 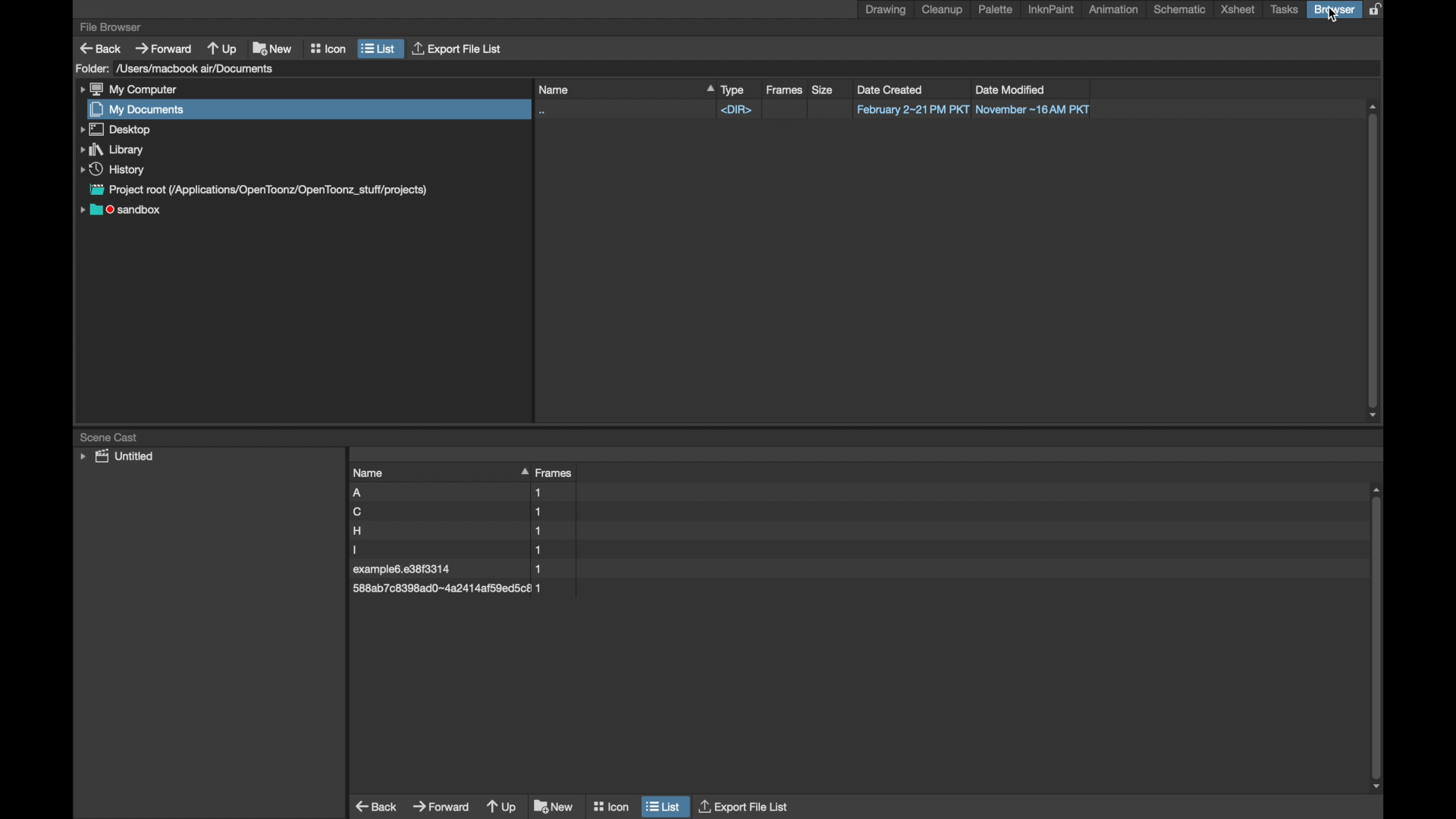 I want to click on frames, so click(x=557, y=473).